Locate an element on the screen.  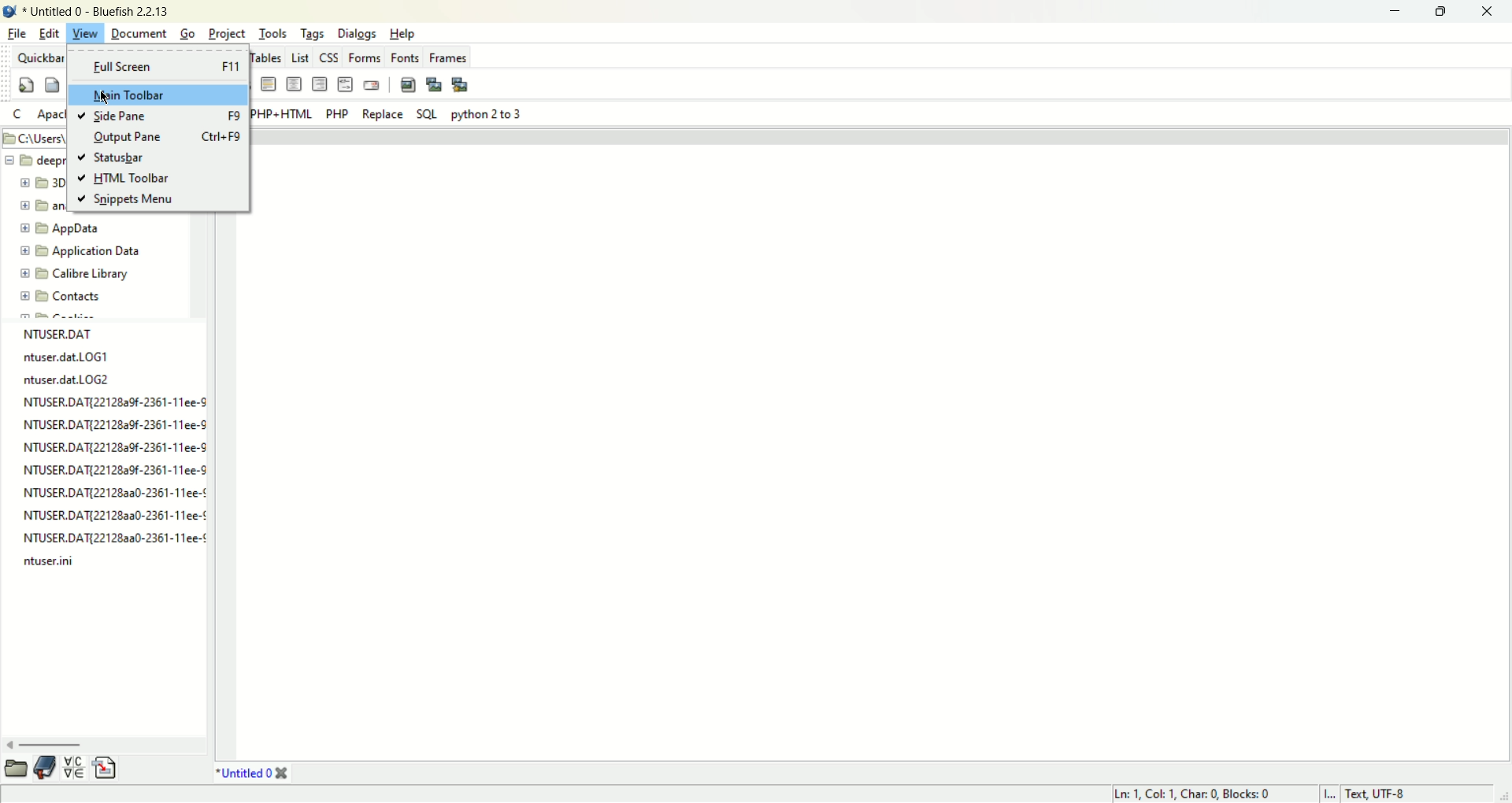
edit is located at coordinates (50, 33).